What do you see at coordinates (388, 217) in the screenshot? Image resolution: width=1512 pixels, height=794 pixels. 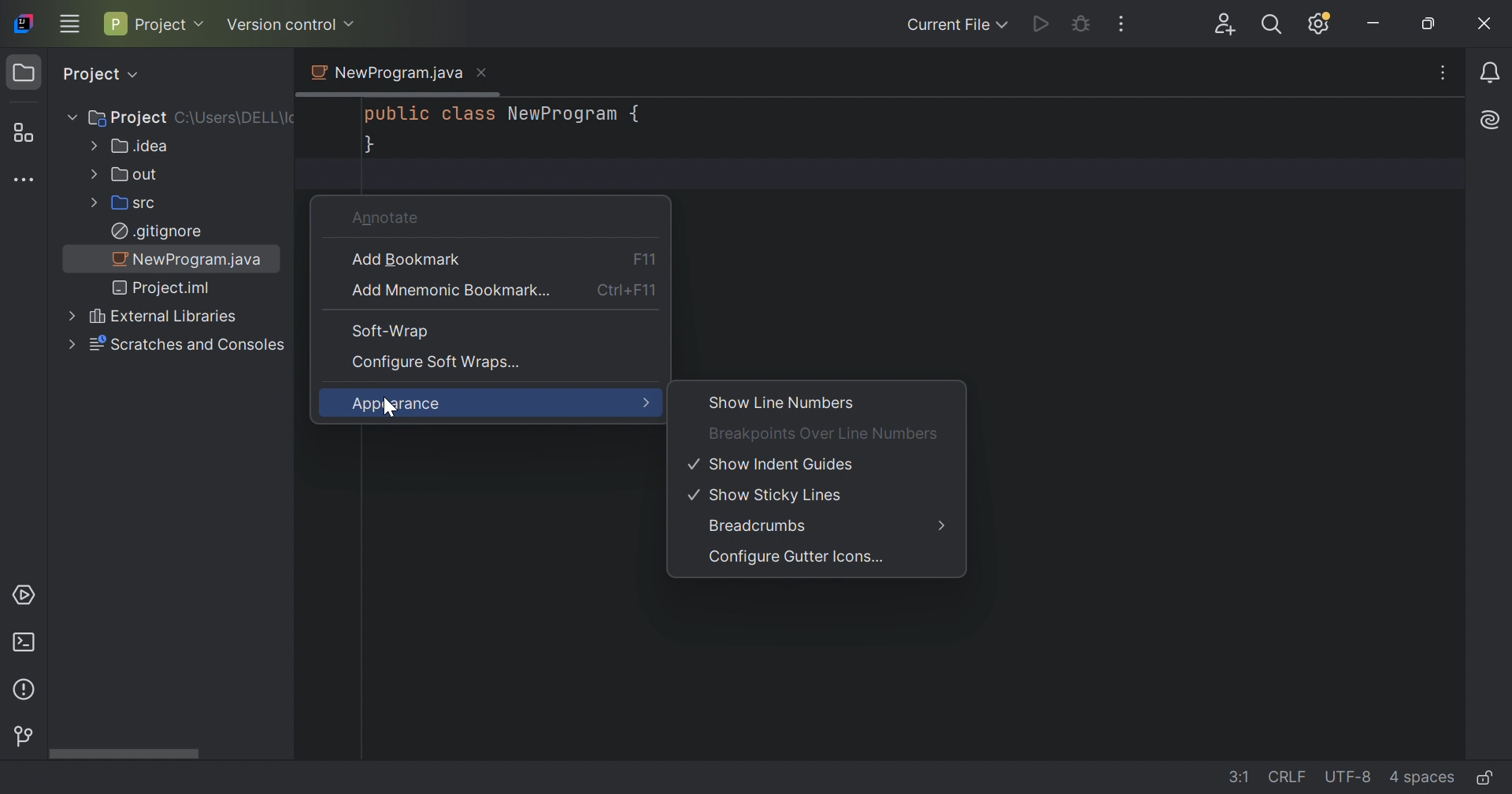 I see `Annotate` at bounding box center [388, 217].